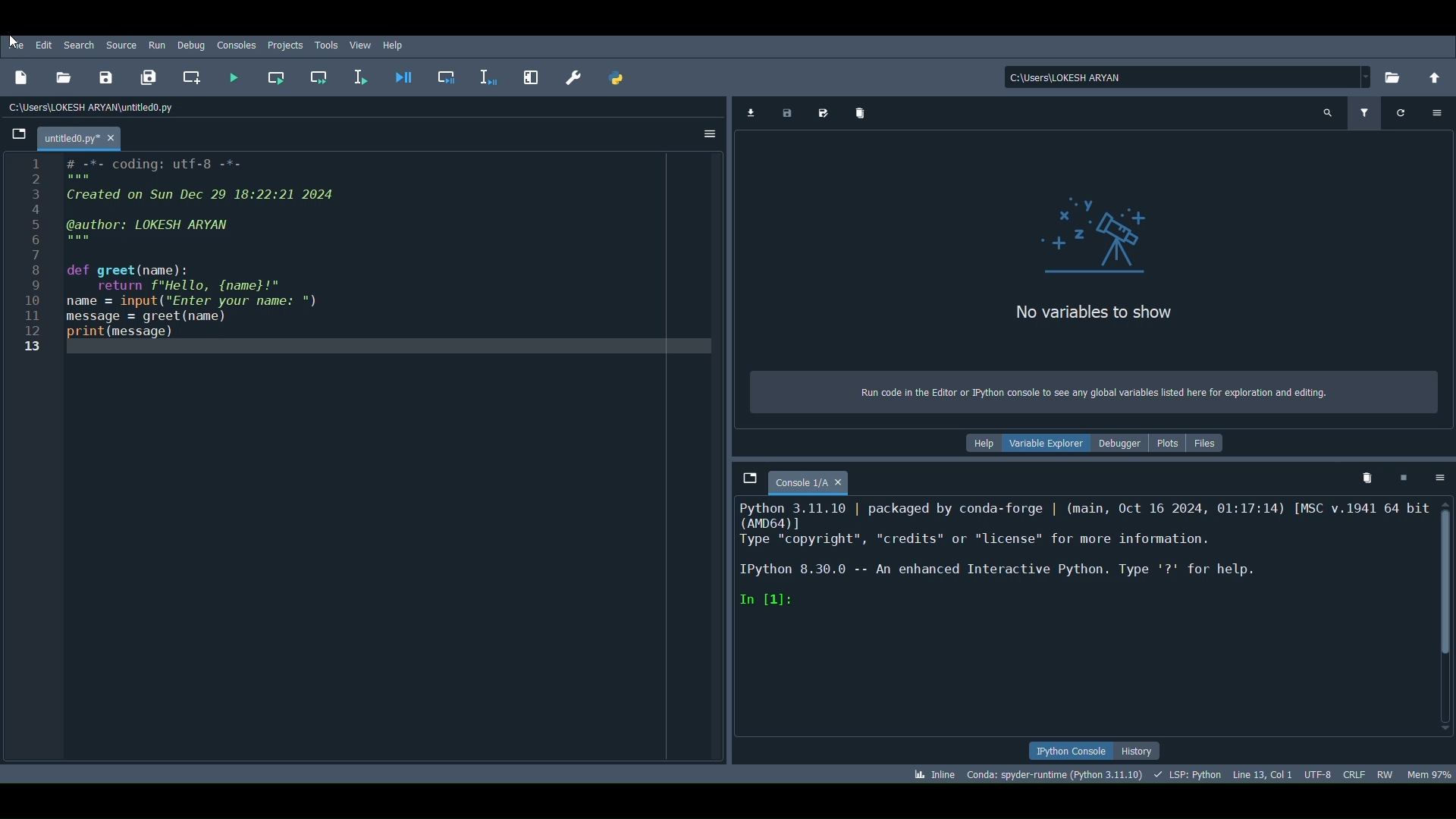  I want to click on Run, so click(155, 43).